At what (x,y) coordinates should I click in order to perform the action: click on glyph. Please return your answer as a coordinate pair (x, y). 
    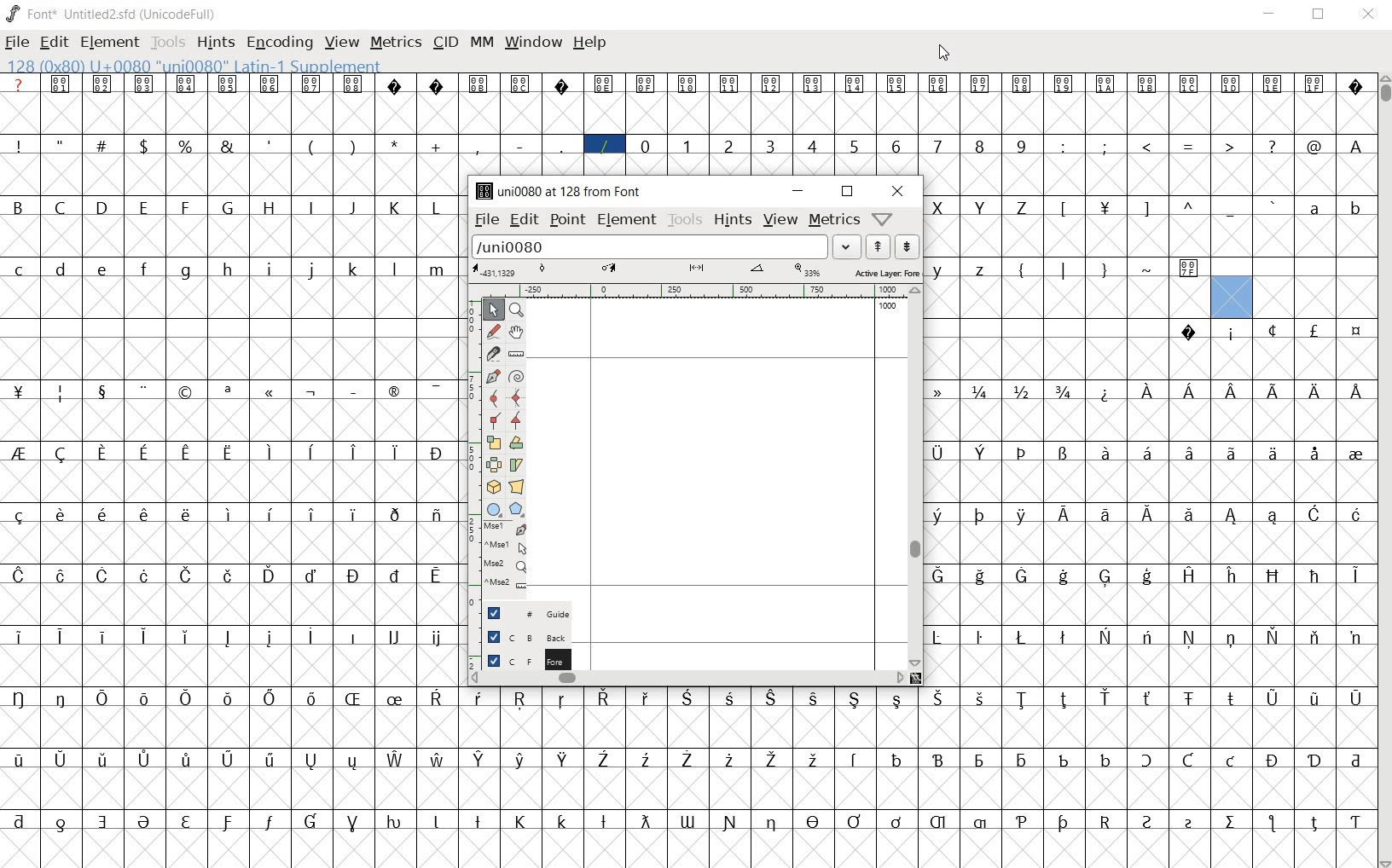
    Looking at the image, I should click on (18, 698).